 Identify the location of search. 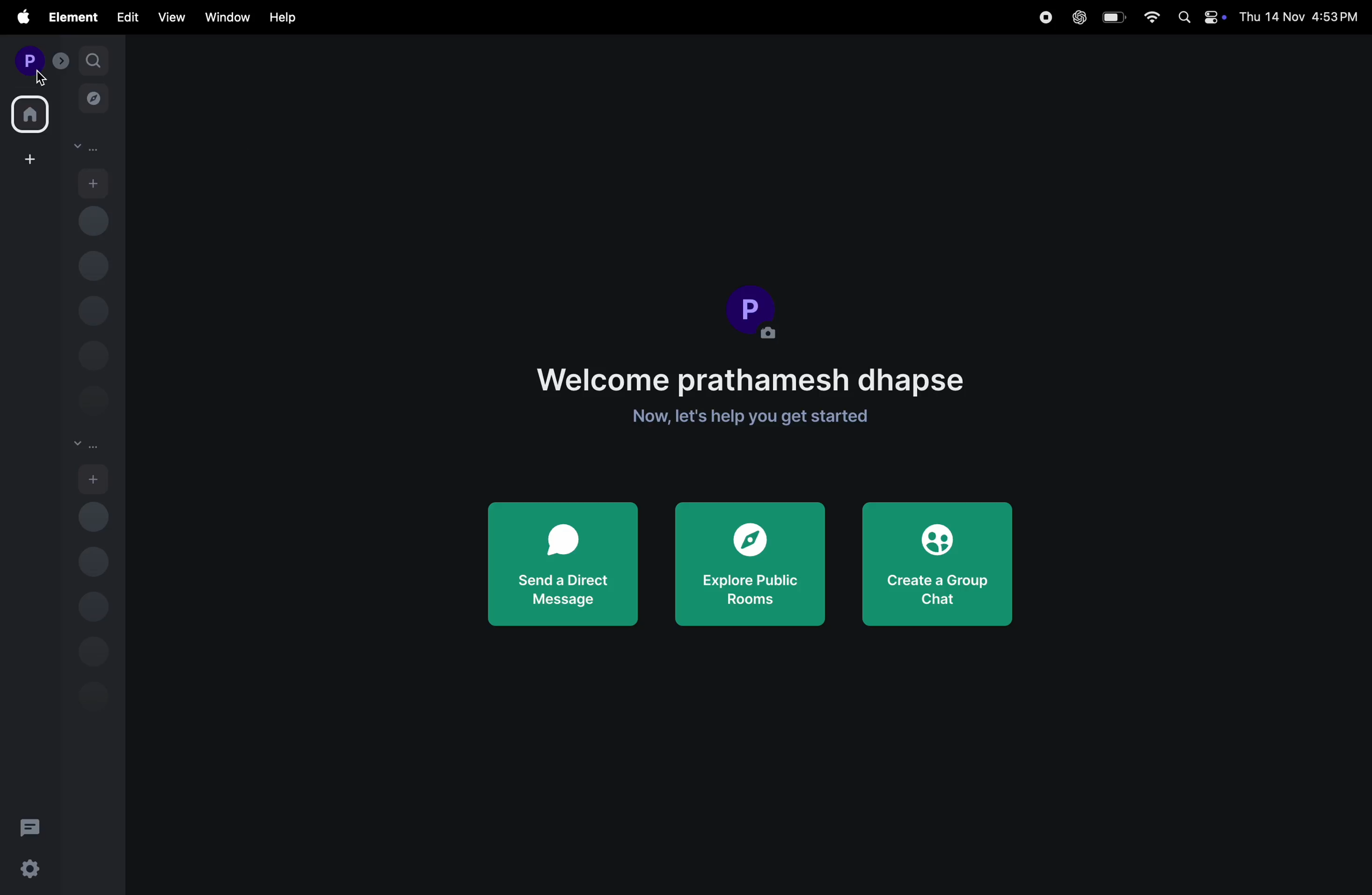
(93, 59).